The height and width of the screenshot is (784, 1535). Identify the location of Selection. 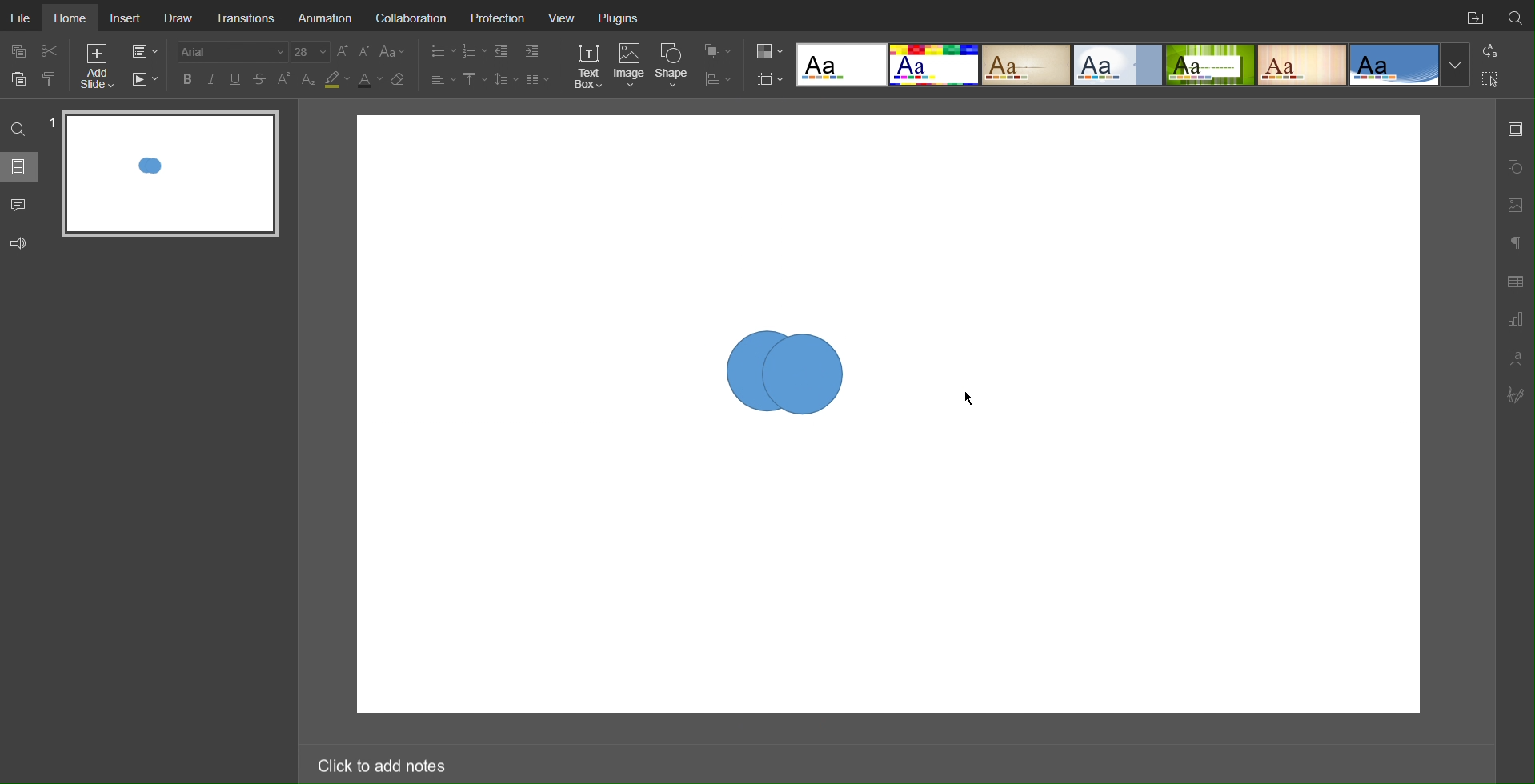
(1491, 78).